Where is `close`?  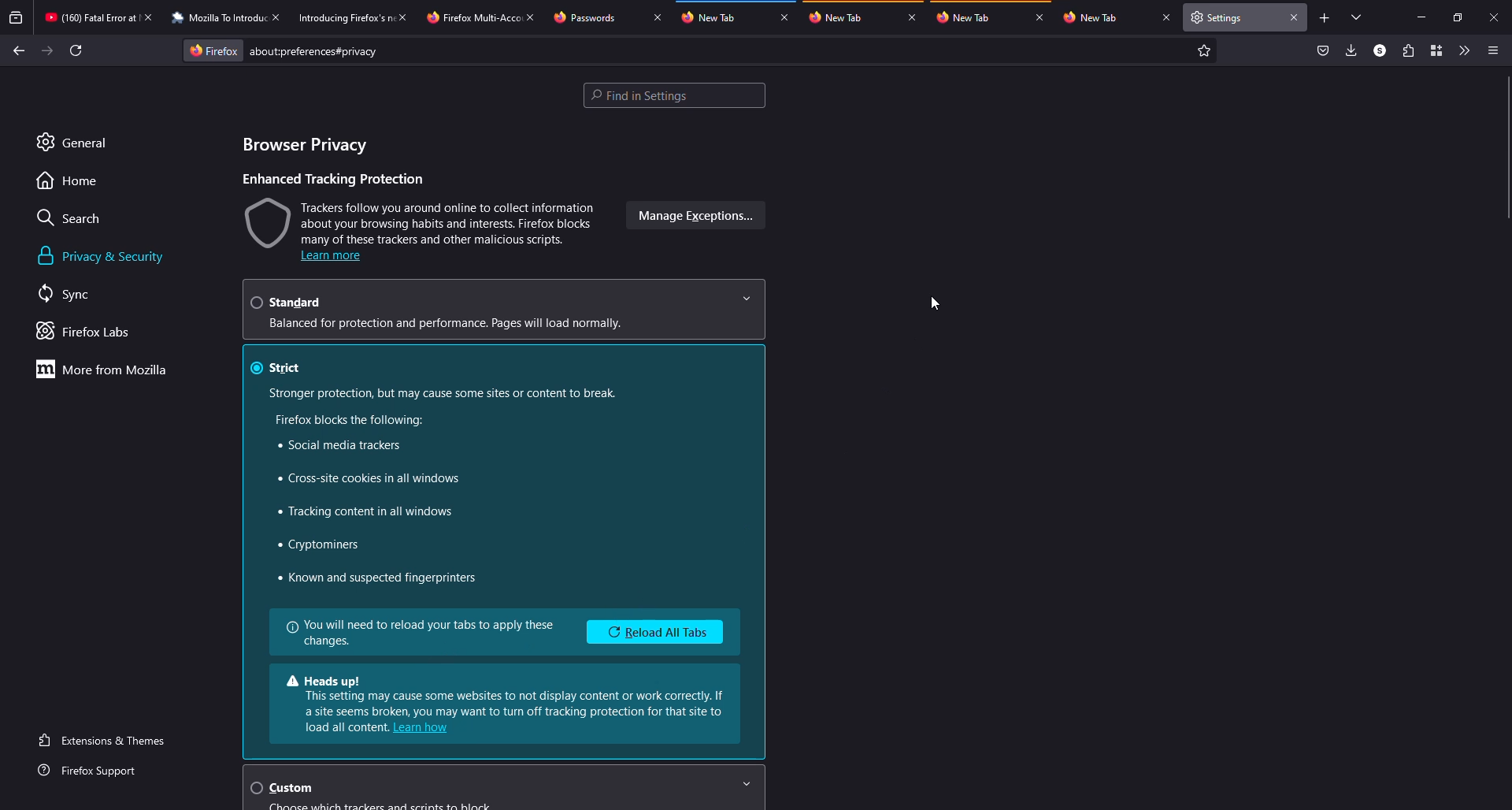 close is located at coordinates (1495, 17).